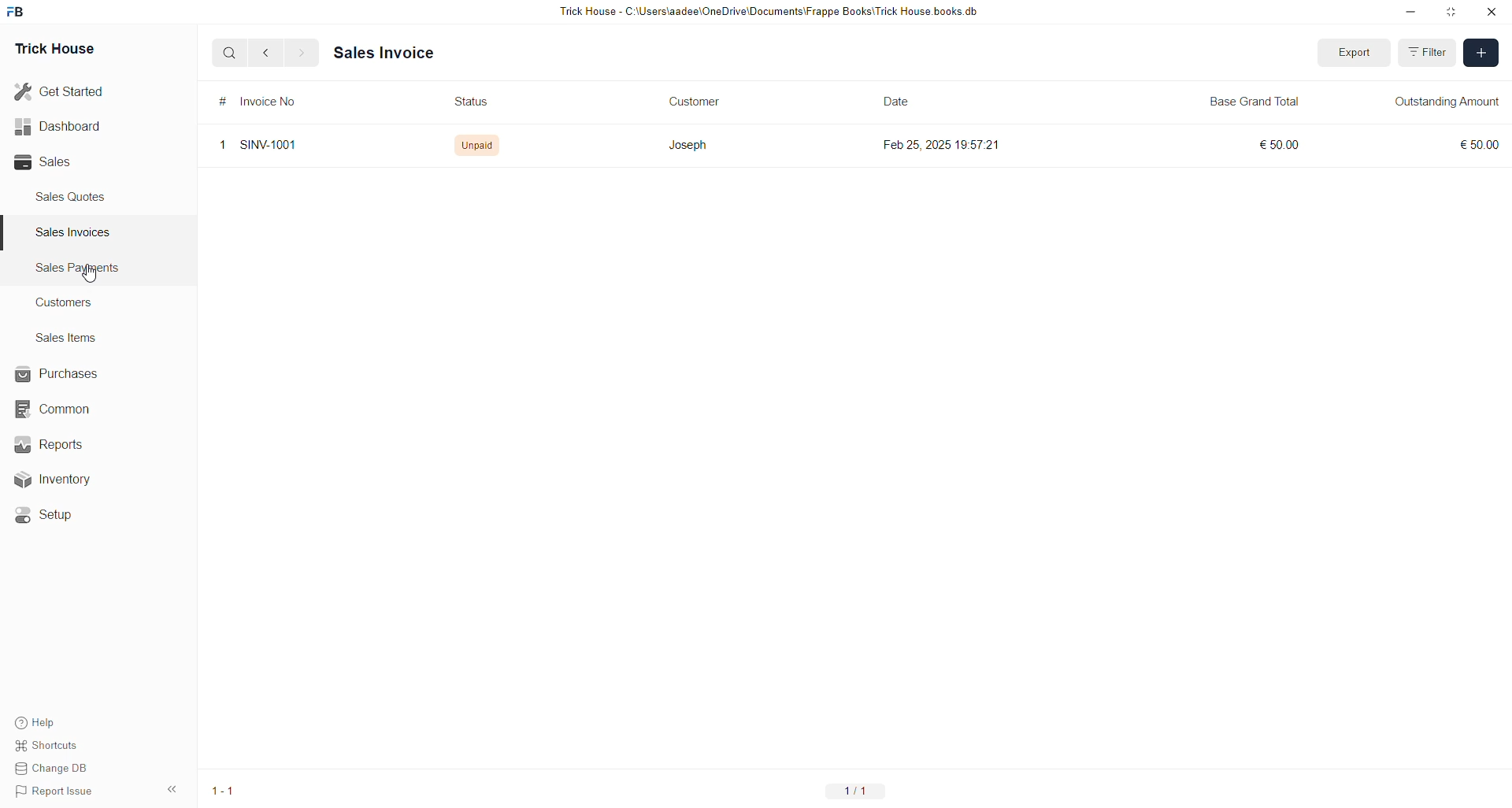 This screenshot has height=808, width=1512. I want to click on Filter, so click(1427, 52).